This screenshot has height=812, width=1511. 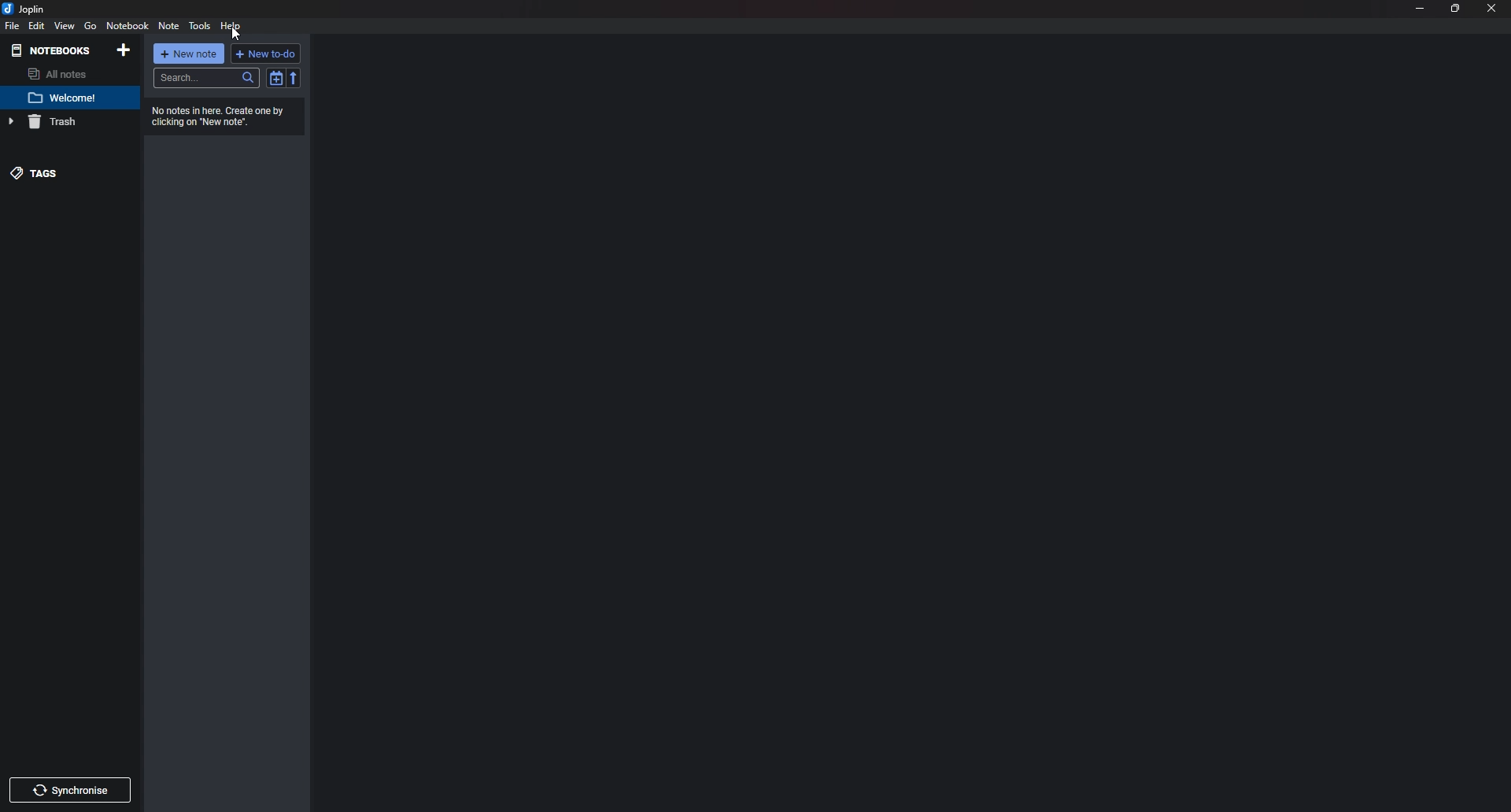 I want to click on view, so click(x=65, y=26).